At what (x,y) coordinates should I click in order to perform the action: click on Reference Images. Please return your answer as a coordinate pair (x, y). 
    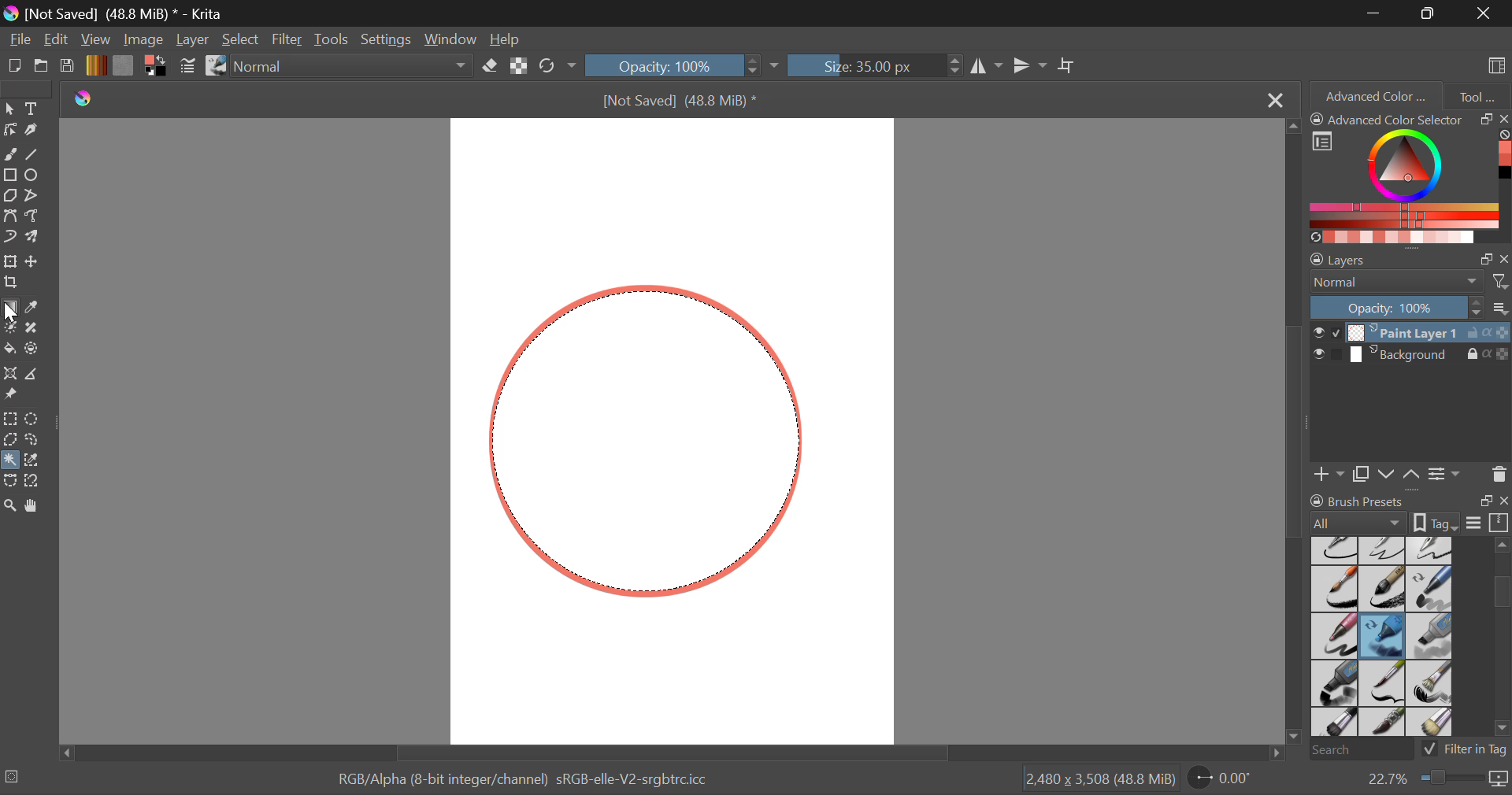
    Looking at the image, I should click on (13, 395).